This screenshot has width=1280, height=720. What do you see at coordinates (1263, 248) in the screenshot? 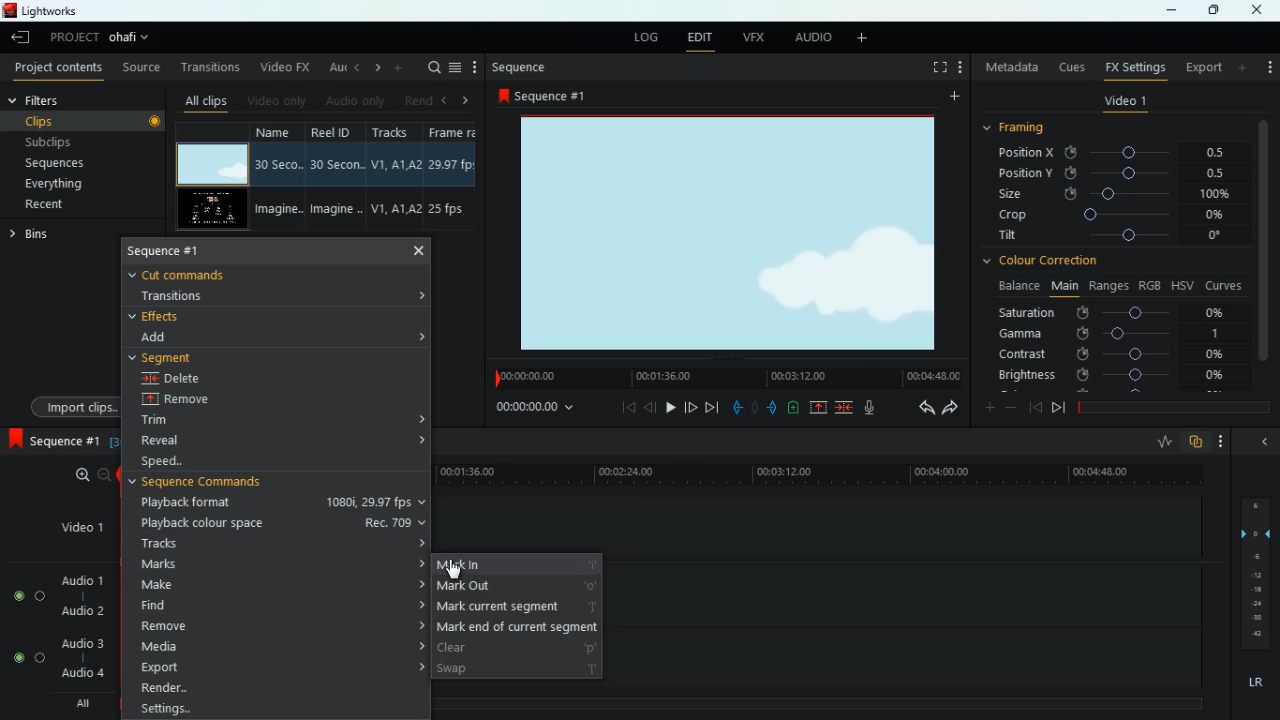
I see `vertical scroll bar` at bounding box center [1263, 248].